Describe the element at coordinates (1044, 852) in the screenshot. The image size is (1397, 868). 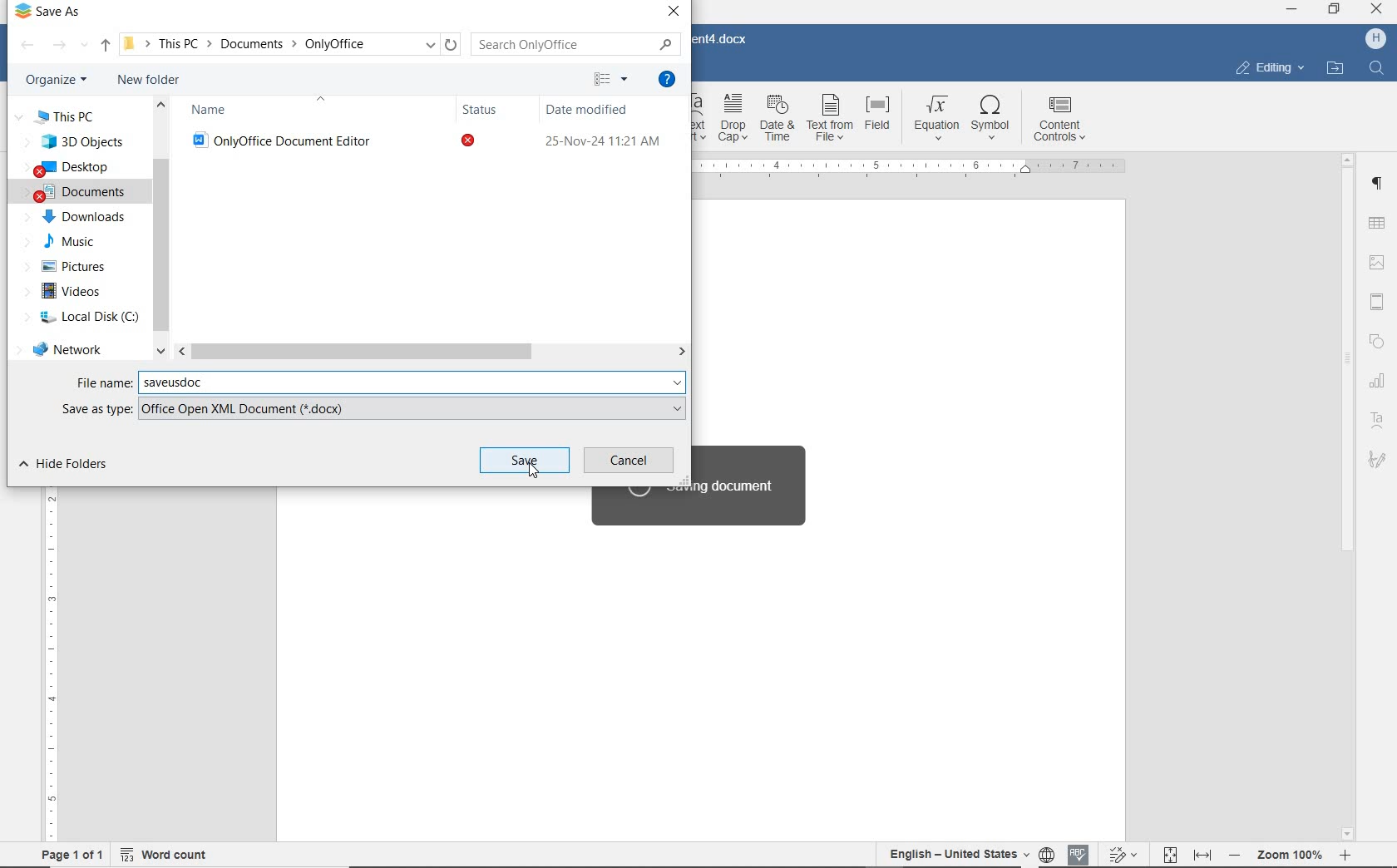
I see `Set document language` at that location.